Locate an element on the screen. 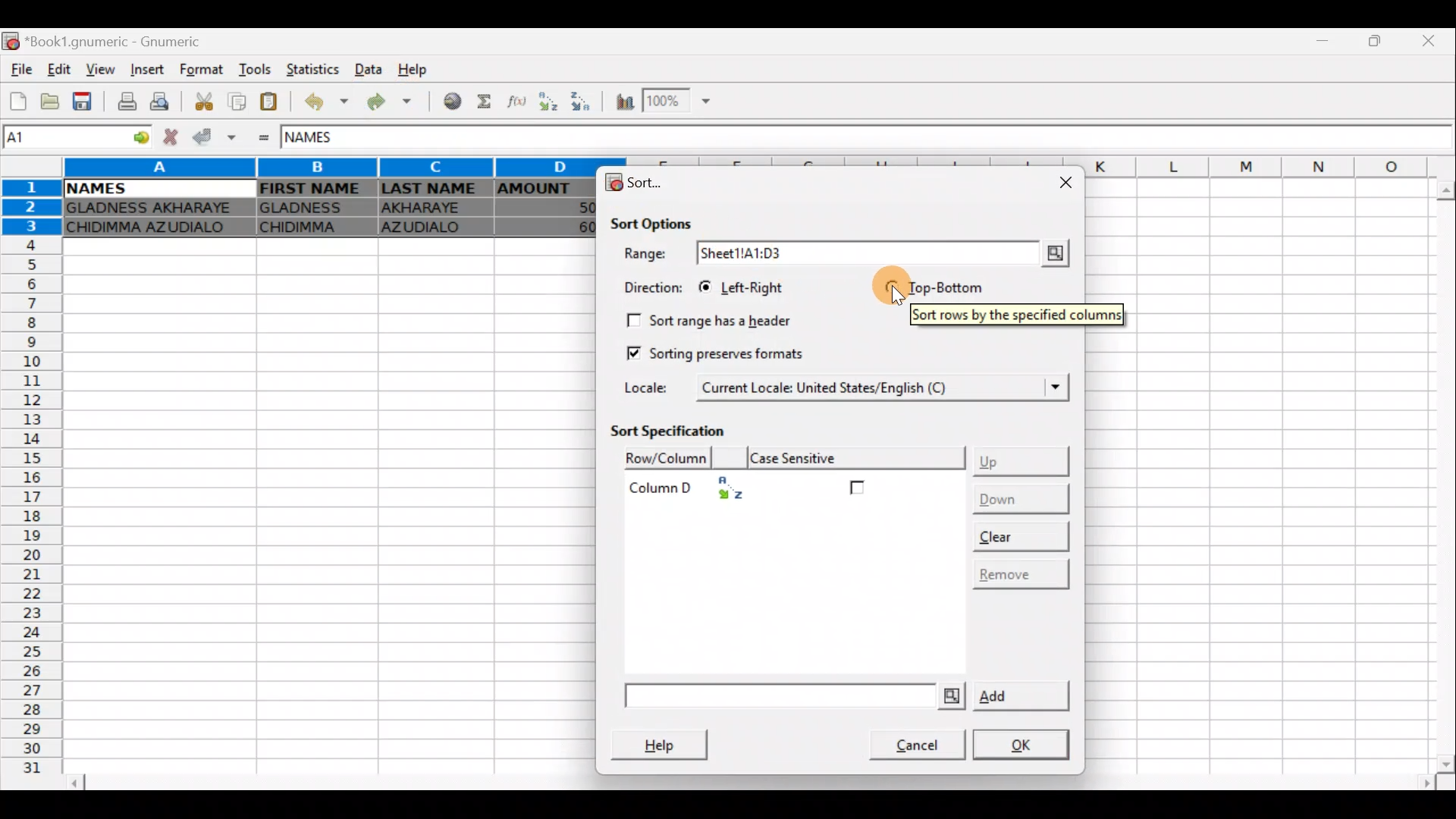 This screenshot has height=819, width=1456. Edit a function in the current cell is located at coordinates (514, 102).